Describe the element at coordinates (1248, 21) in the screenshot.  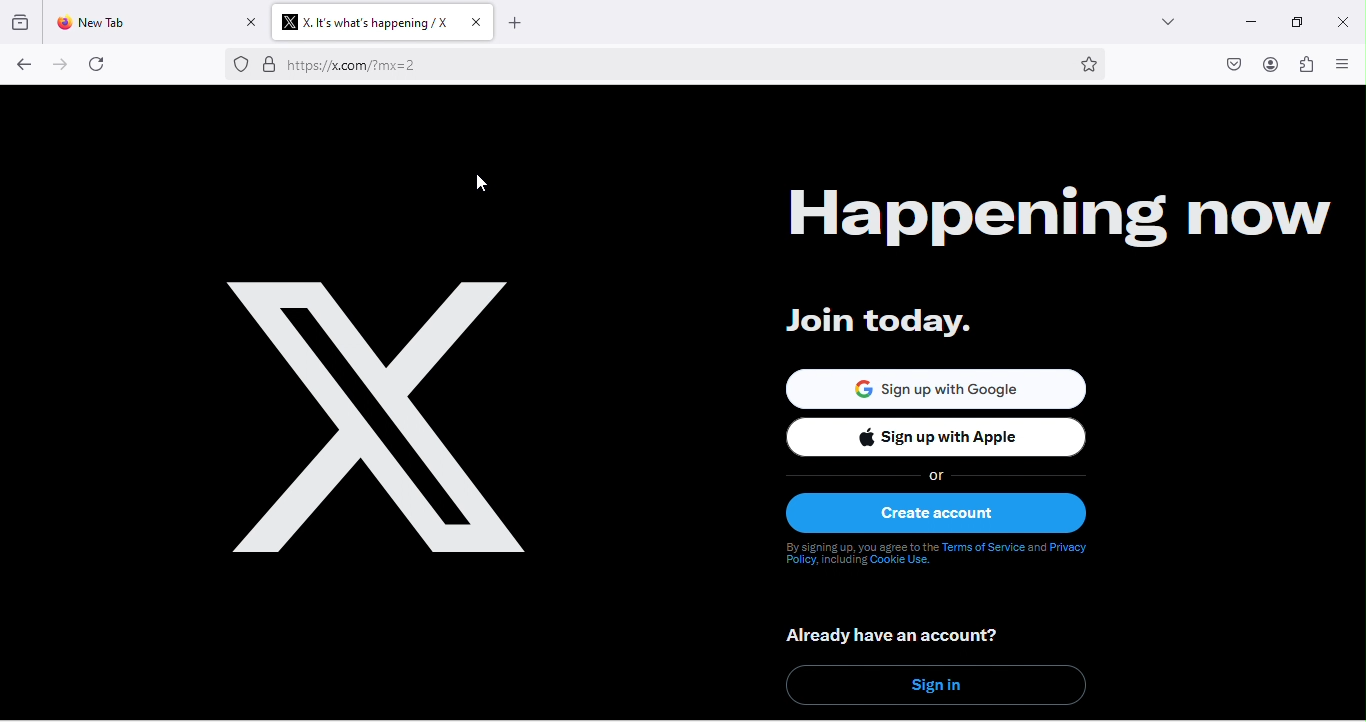
I see `minimize` at that location.